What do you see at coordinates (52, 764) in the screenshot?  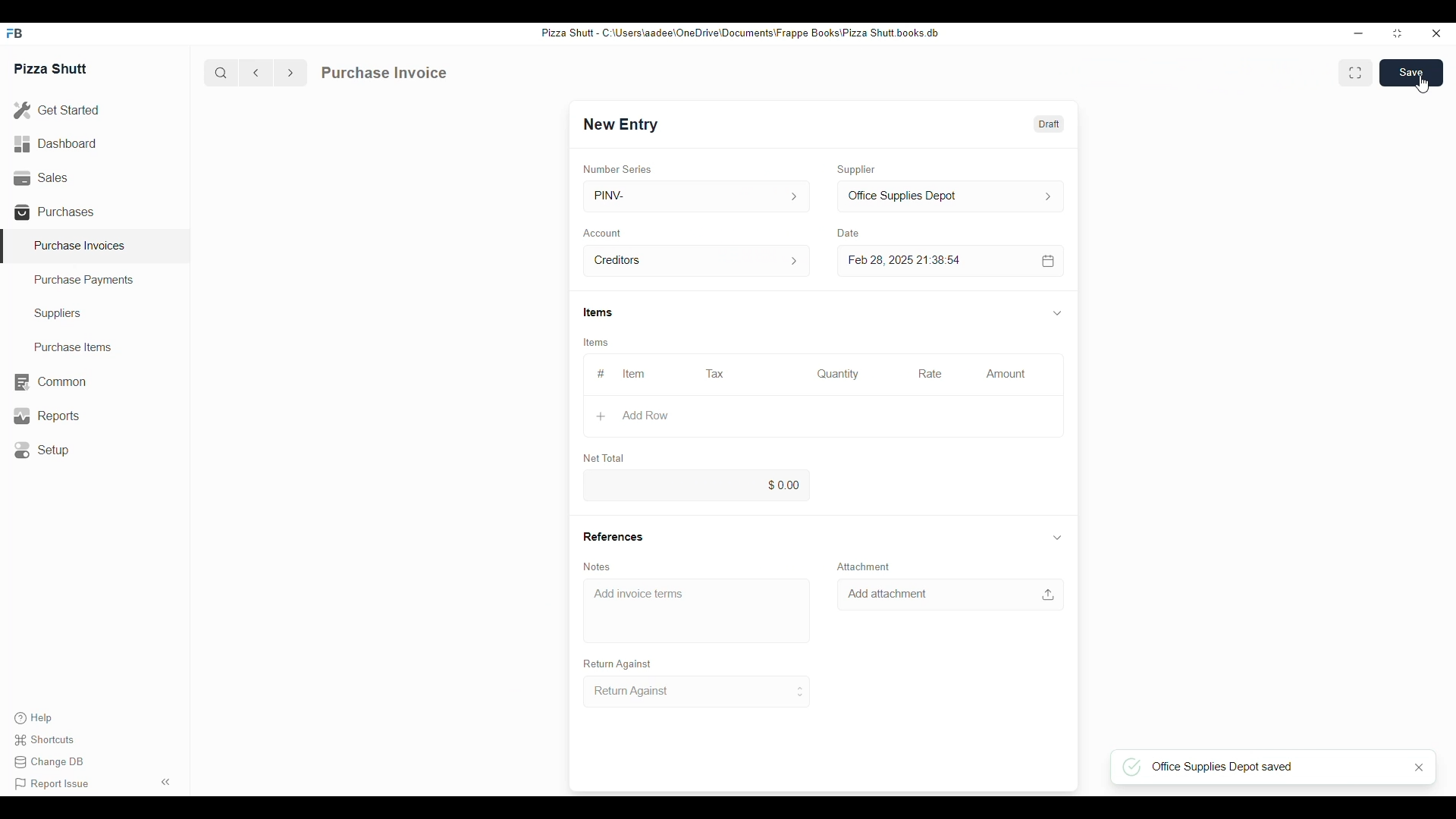 I see `Change DB` at bounding box center [52, 764].